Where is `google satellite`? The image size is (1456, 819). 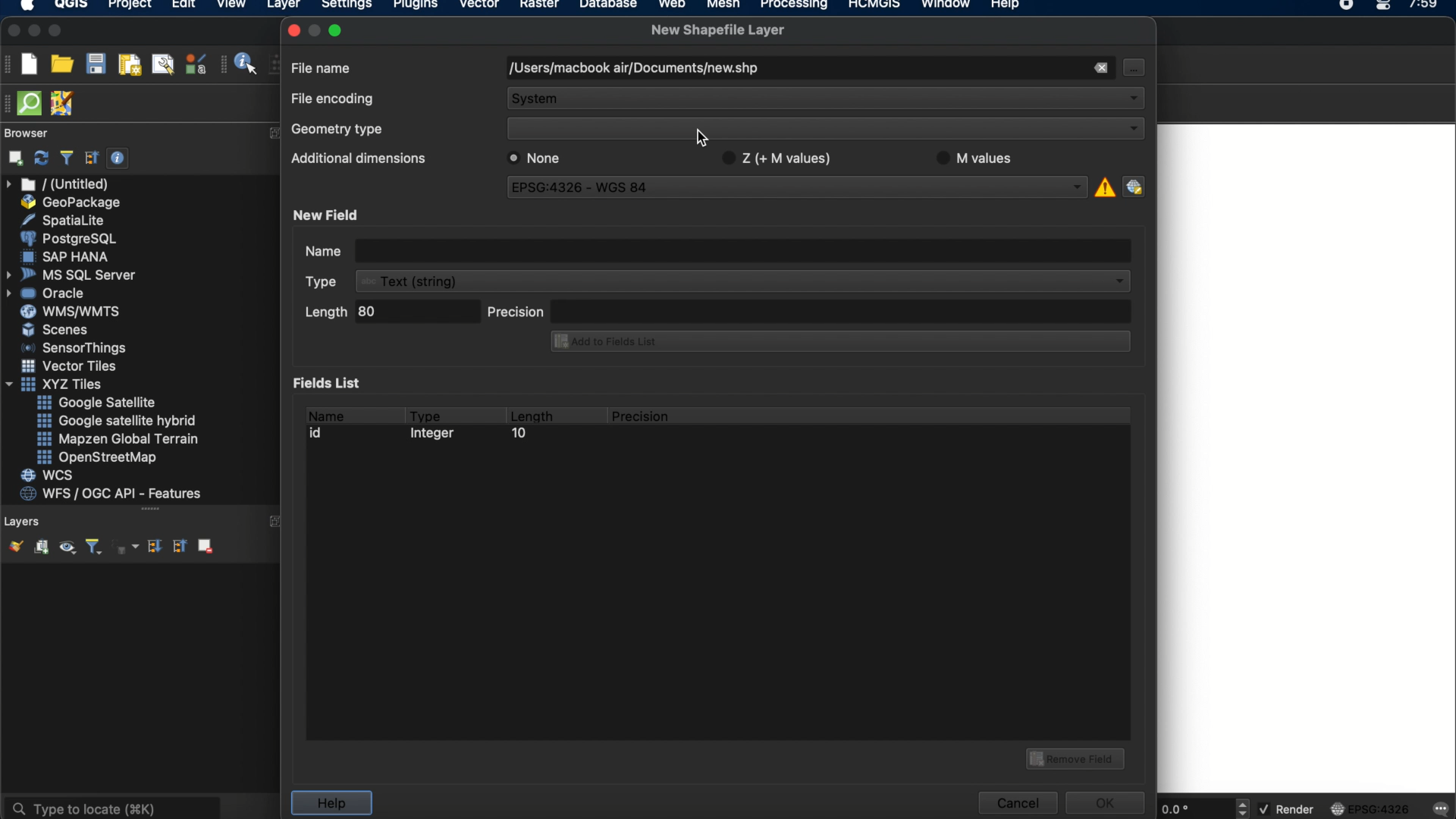
google satellite is located at coordinates (98, 403).